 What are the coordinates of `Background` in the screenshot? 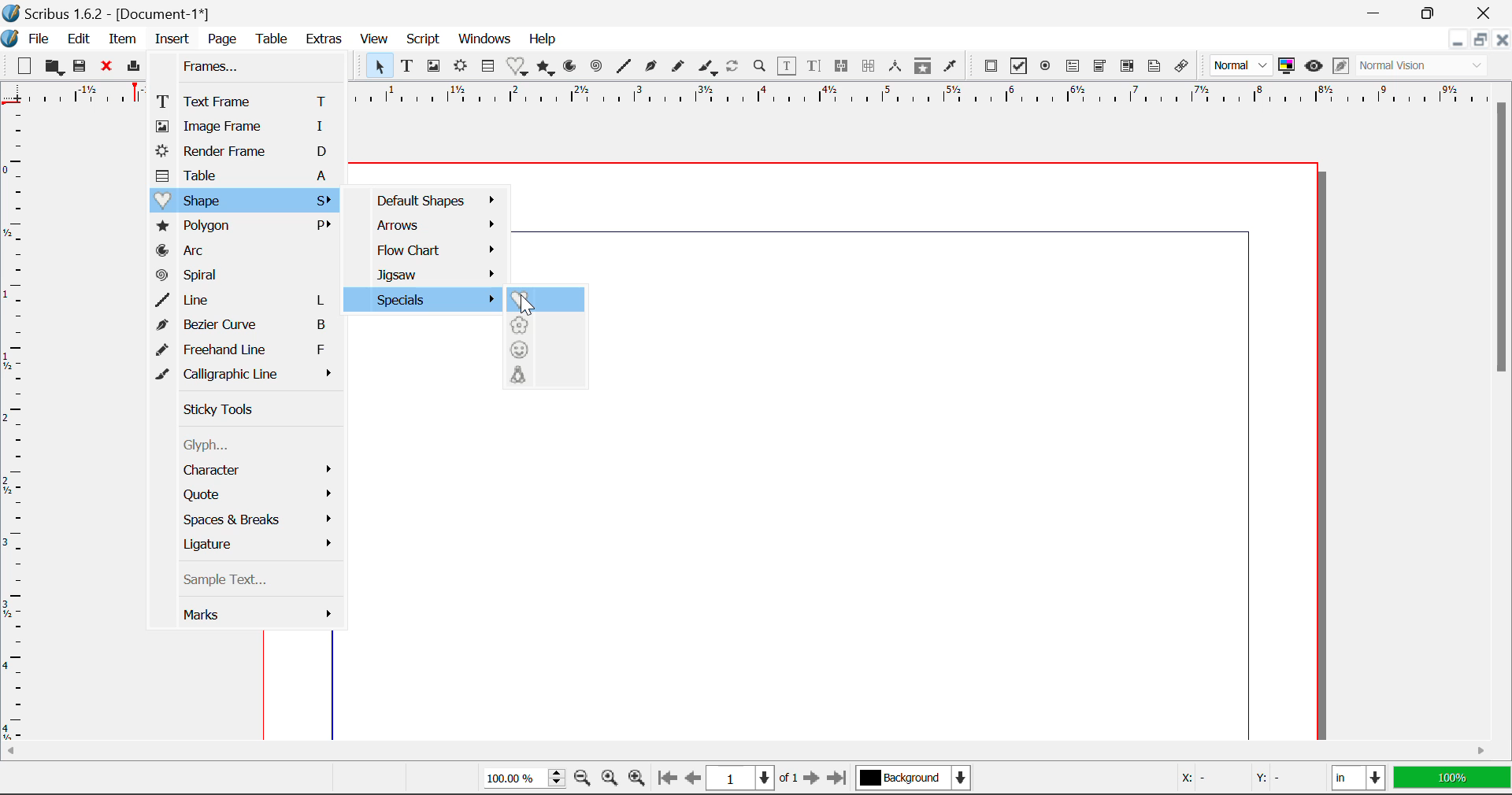 It's located at (916, 779).